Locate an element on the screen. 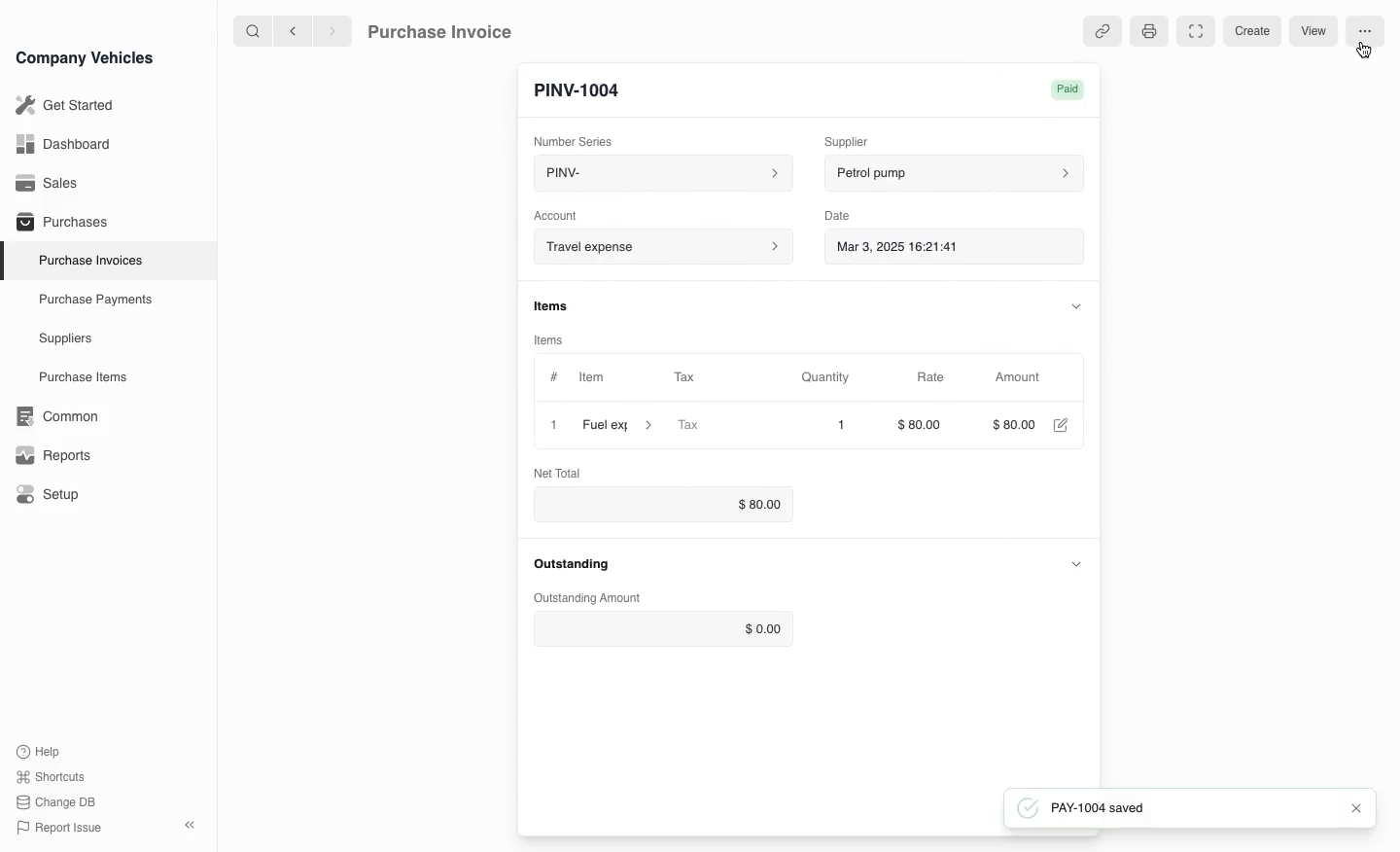  Item is located at coordinates (593, 376).